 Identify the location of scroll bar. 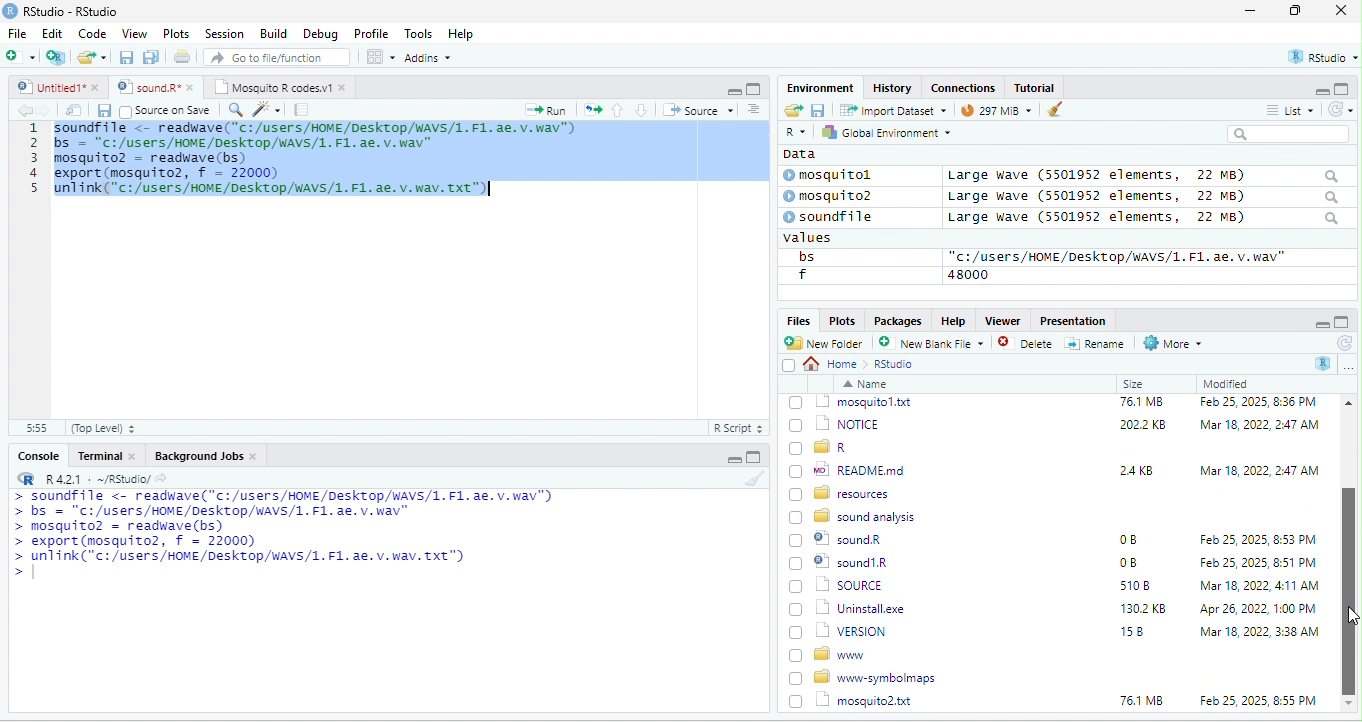
(759, 267).